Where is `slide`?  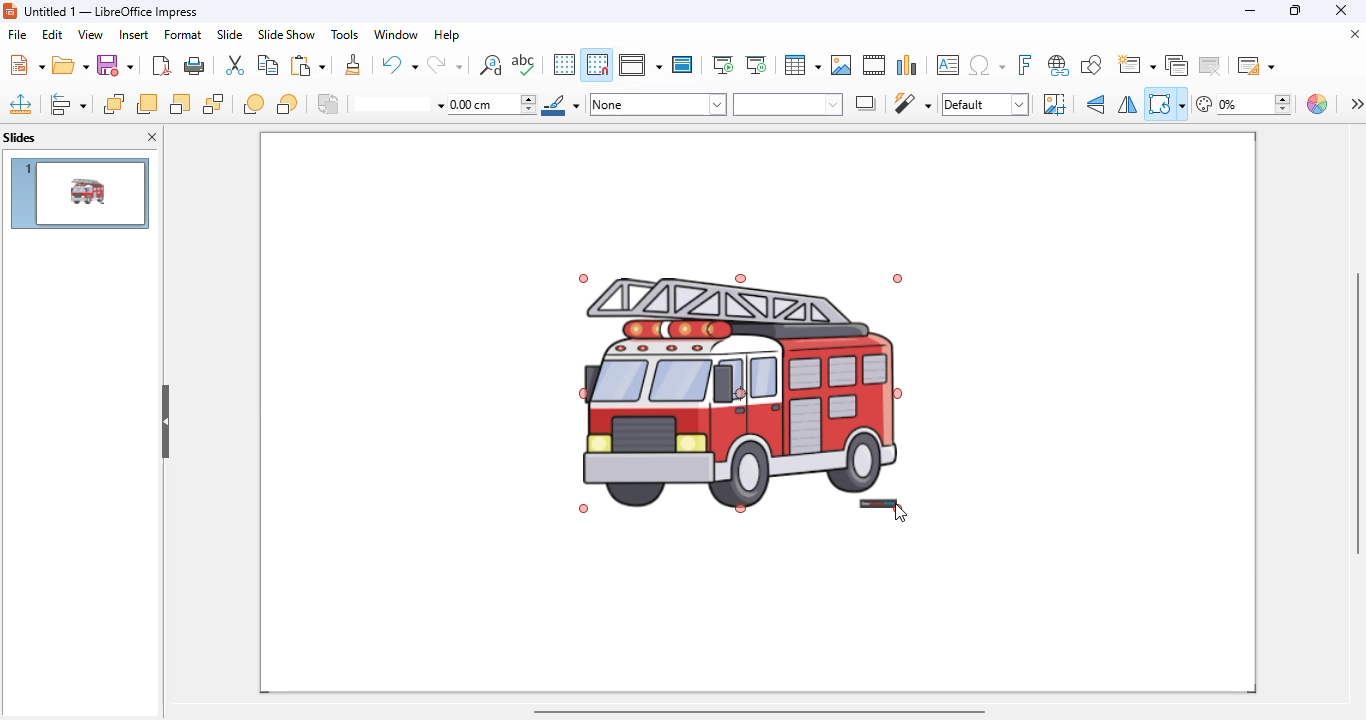 slide is located at coordinates (230, 34).